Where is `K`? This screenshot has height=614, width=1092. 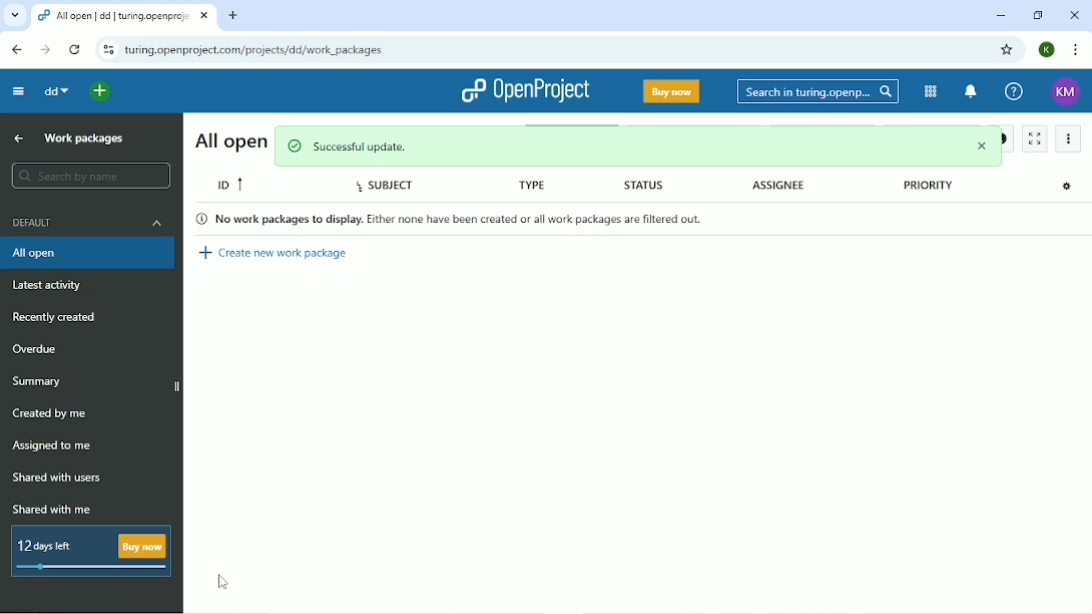 K is located at coordinates (1048, 49).